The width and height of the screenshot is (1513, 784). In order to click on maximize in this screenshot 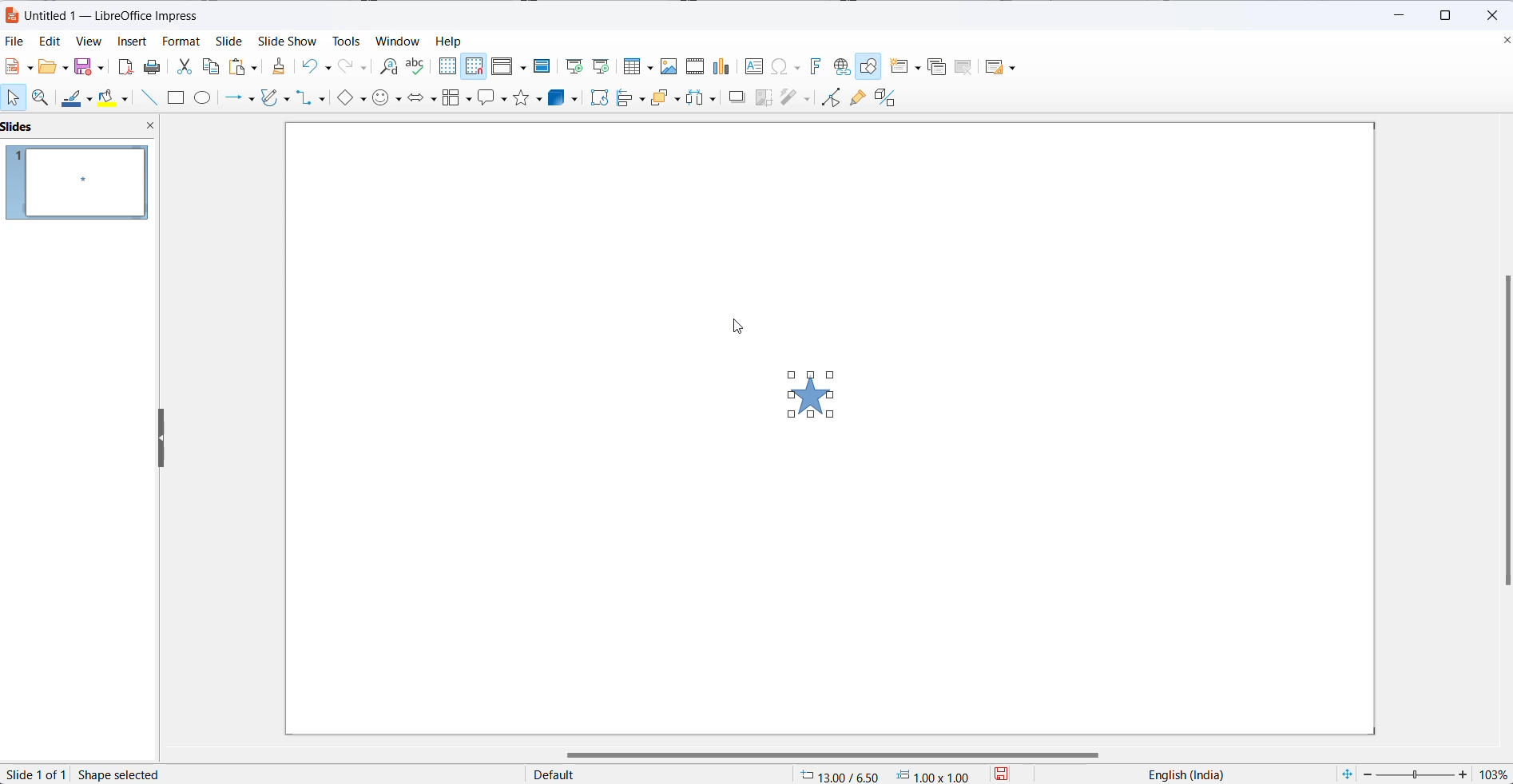, I will do `click(1448, 16)`.